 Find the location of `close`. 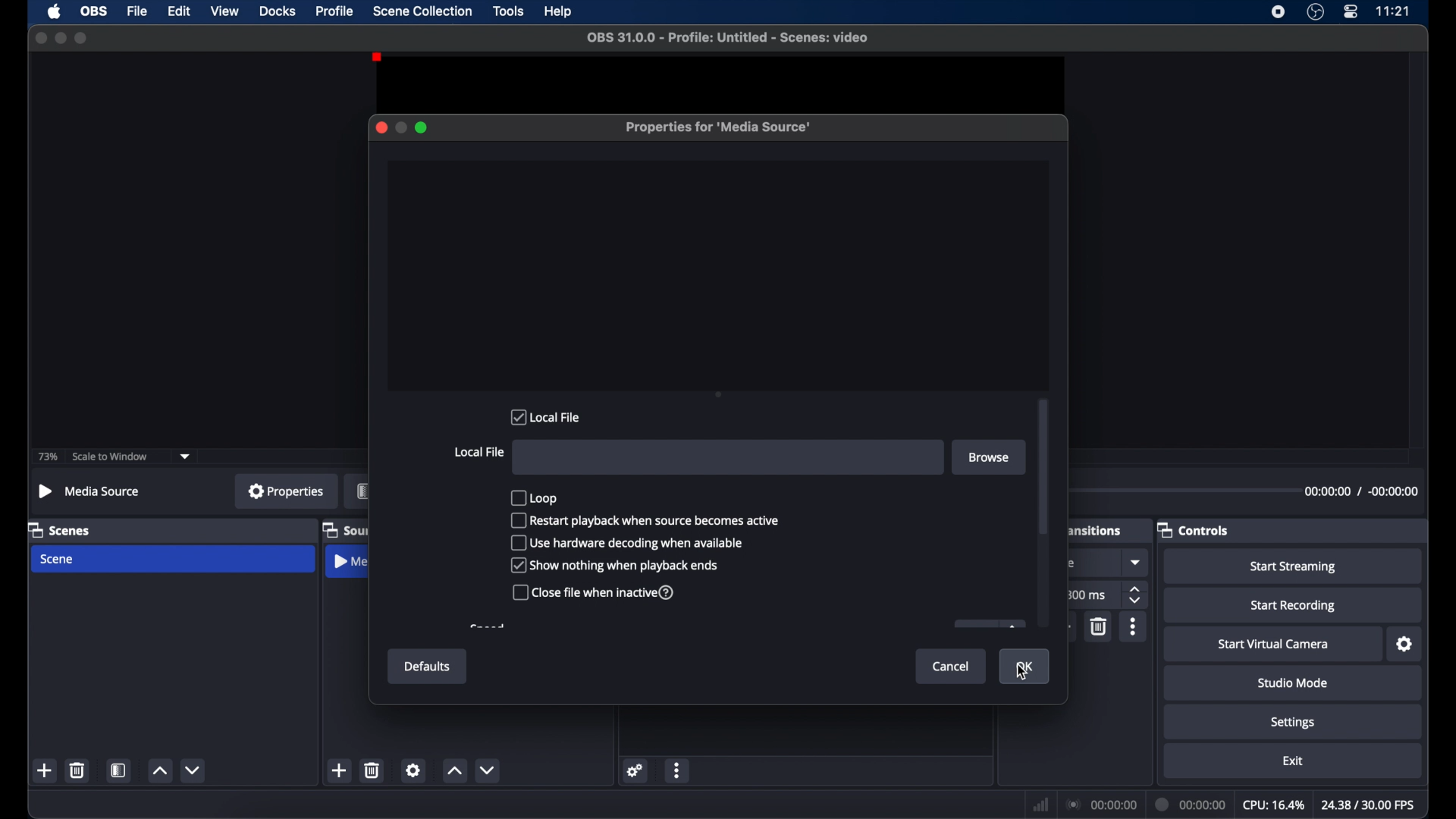

close is located at coordinates (40, 38).